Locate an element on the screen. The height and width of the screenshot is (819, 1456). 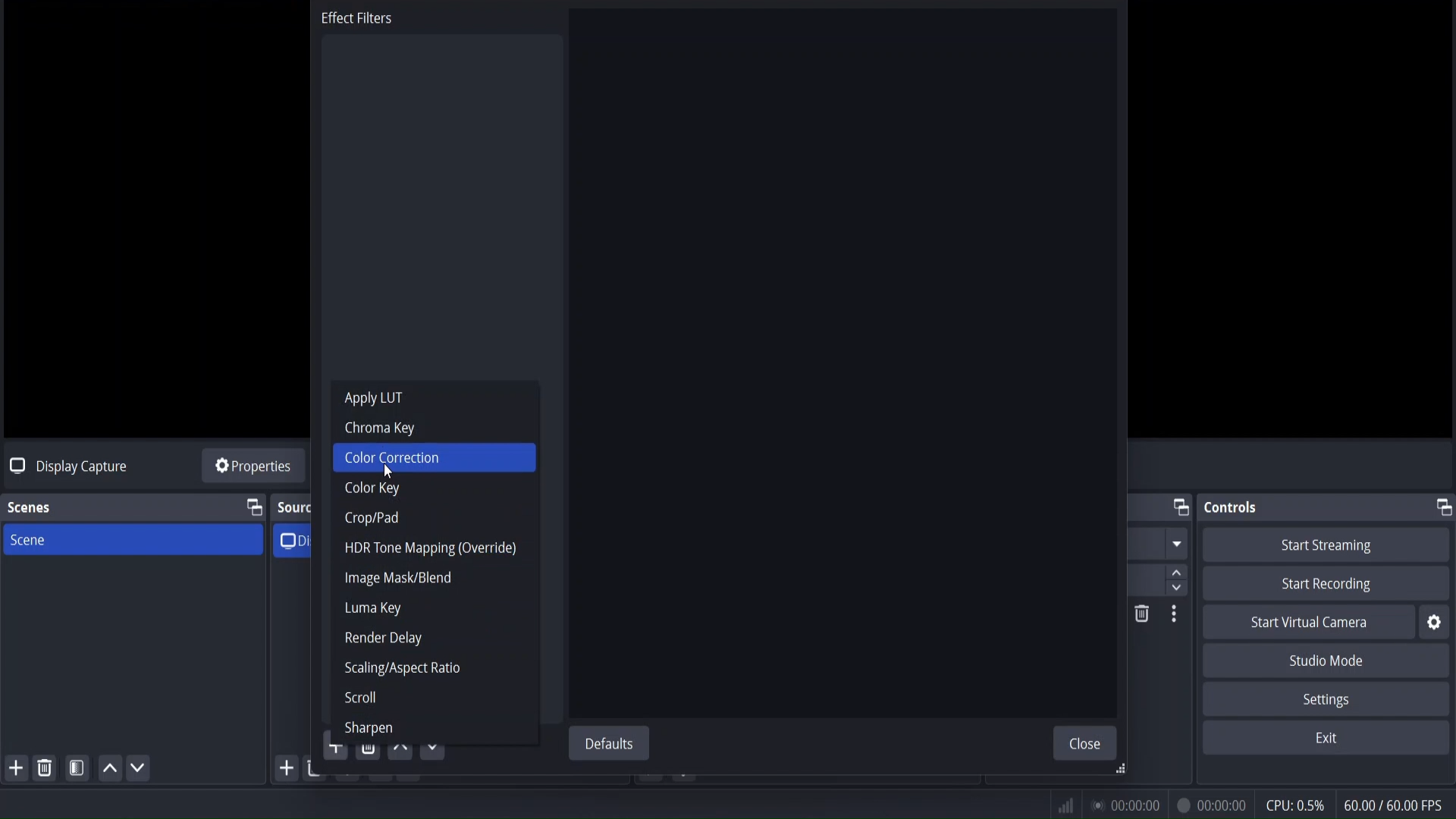
display capture is located at coordinates (300, 539).